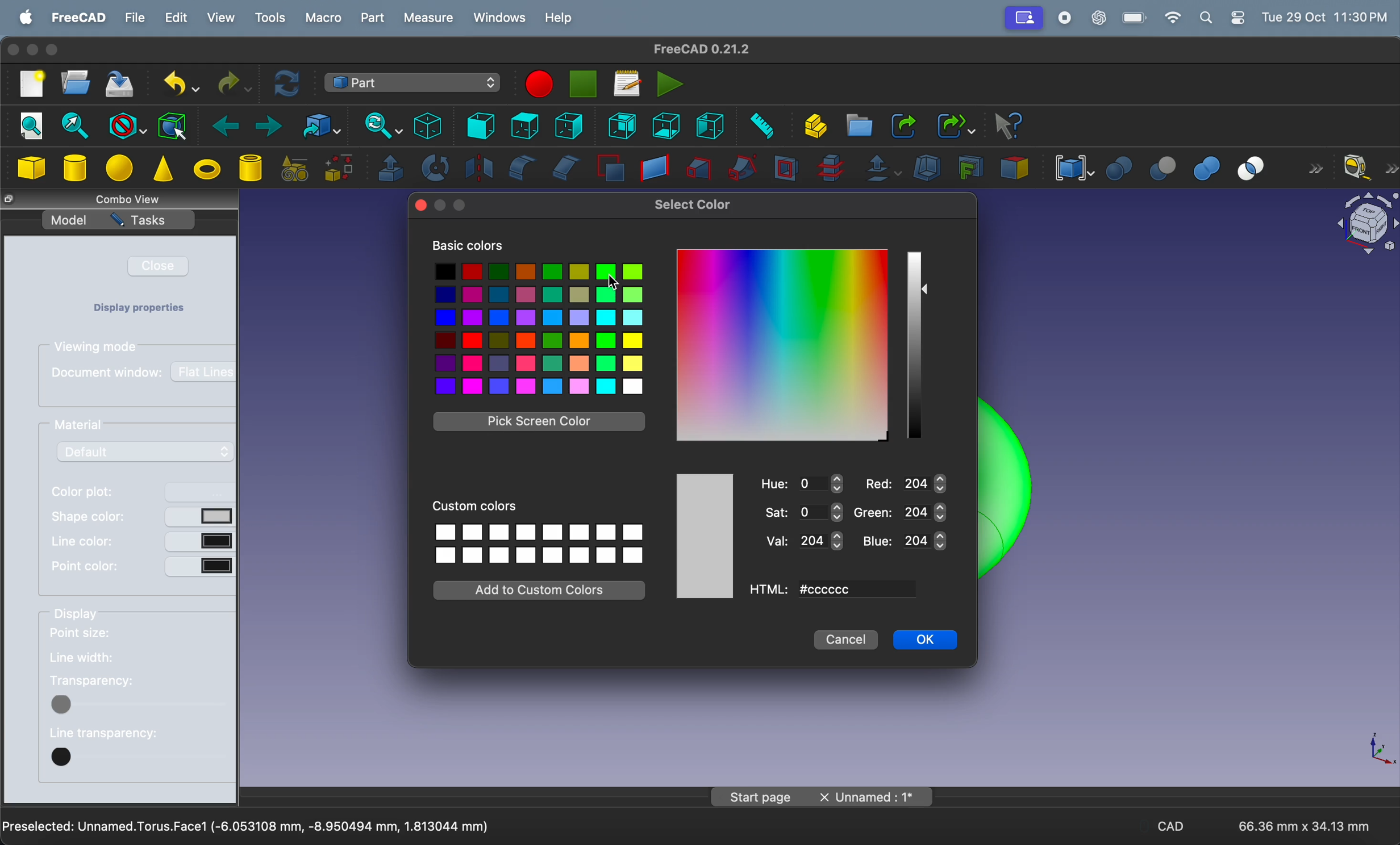  Describe the element at coordinates (520, 168) in the screenshot. I see `fillet` at that location.